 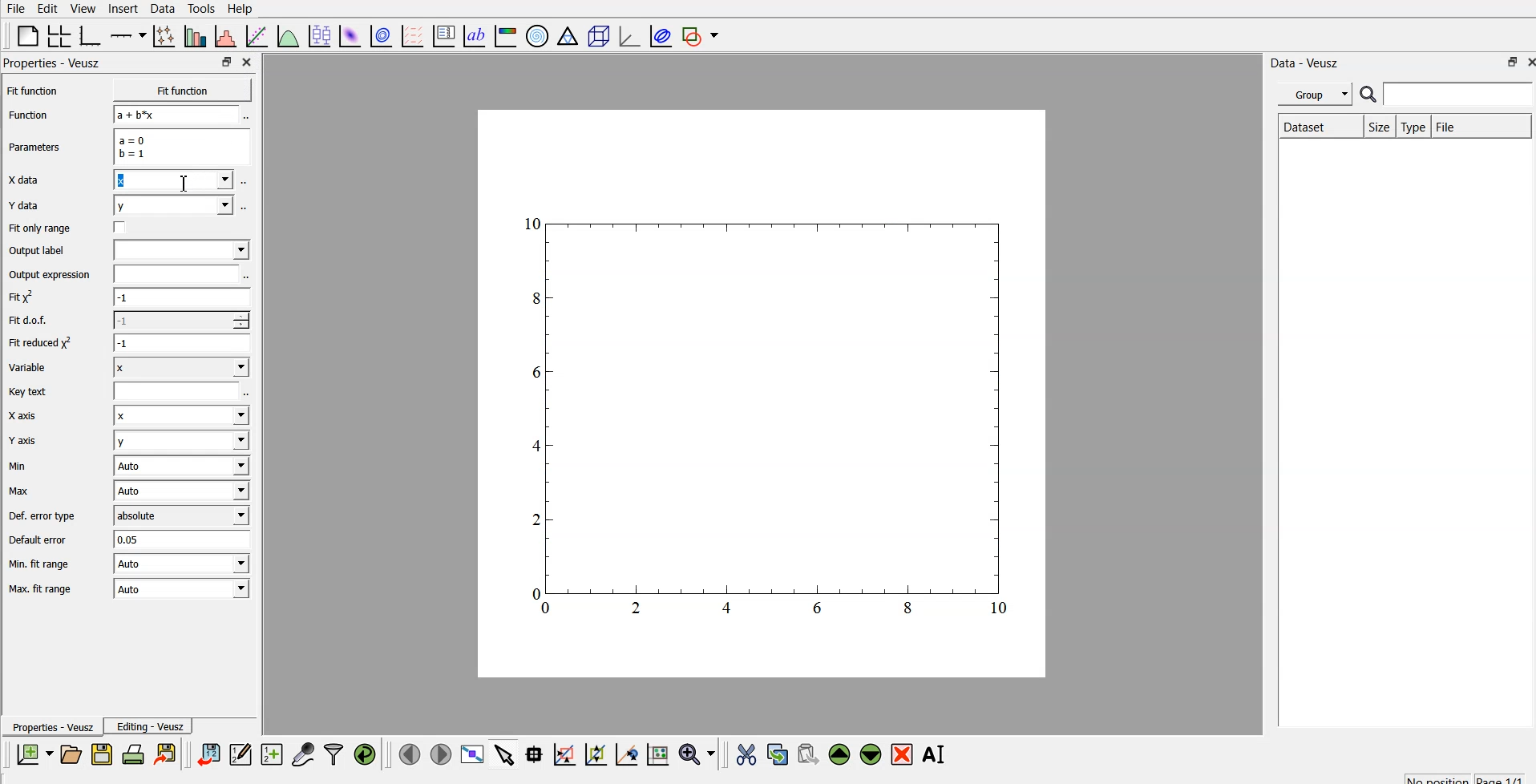 I want to click on 3d graph, so click(x=632, y=37).